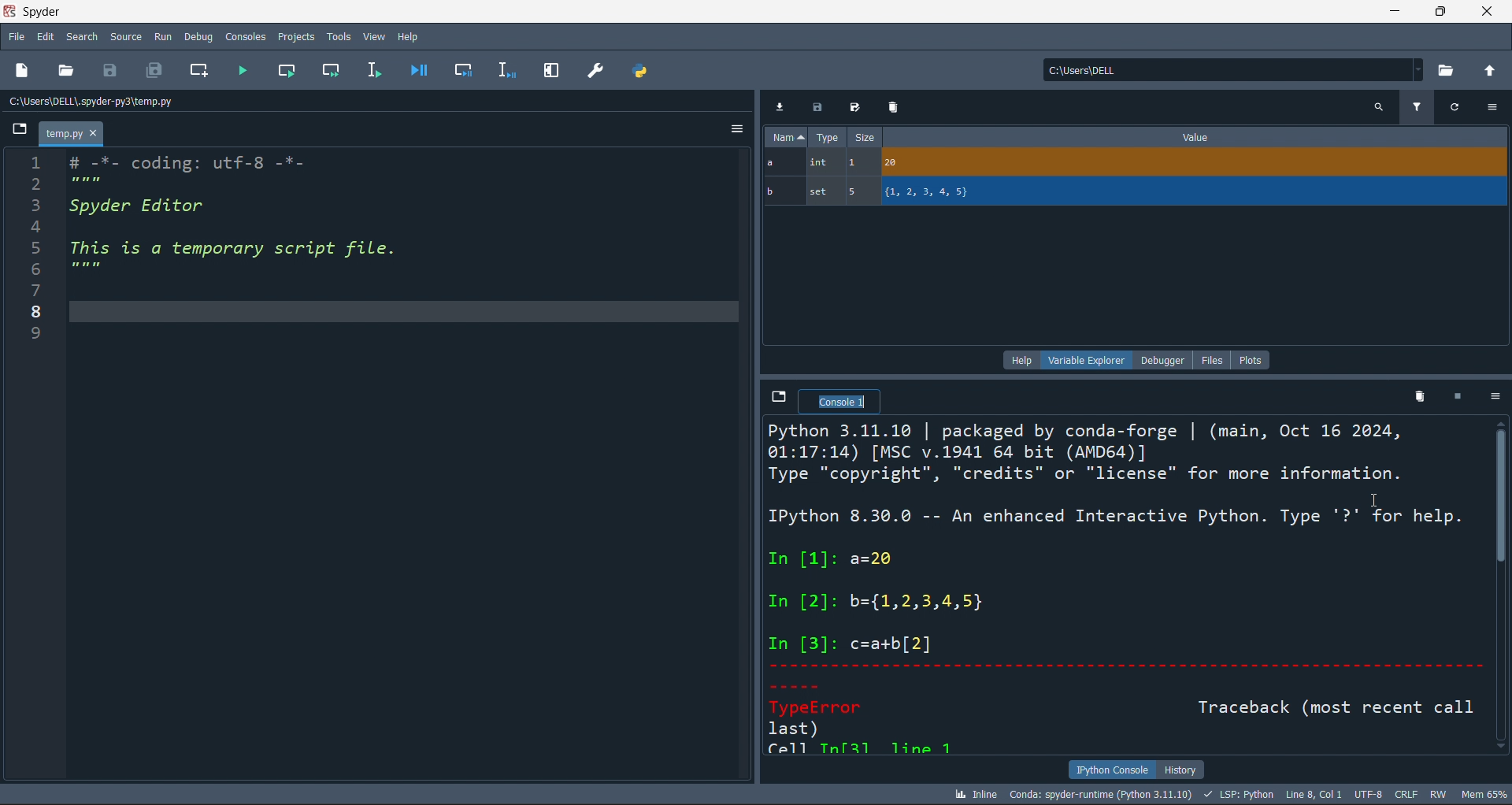  What do you see at coordinates (1317, 794) in the screenshot?
I see `LINE 8, COL 1` at bounding box center [1317, 794].